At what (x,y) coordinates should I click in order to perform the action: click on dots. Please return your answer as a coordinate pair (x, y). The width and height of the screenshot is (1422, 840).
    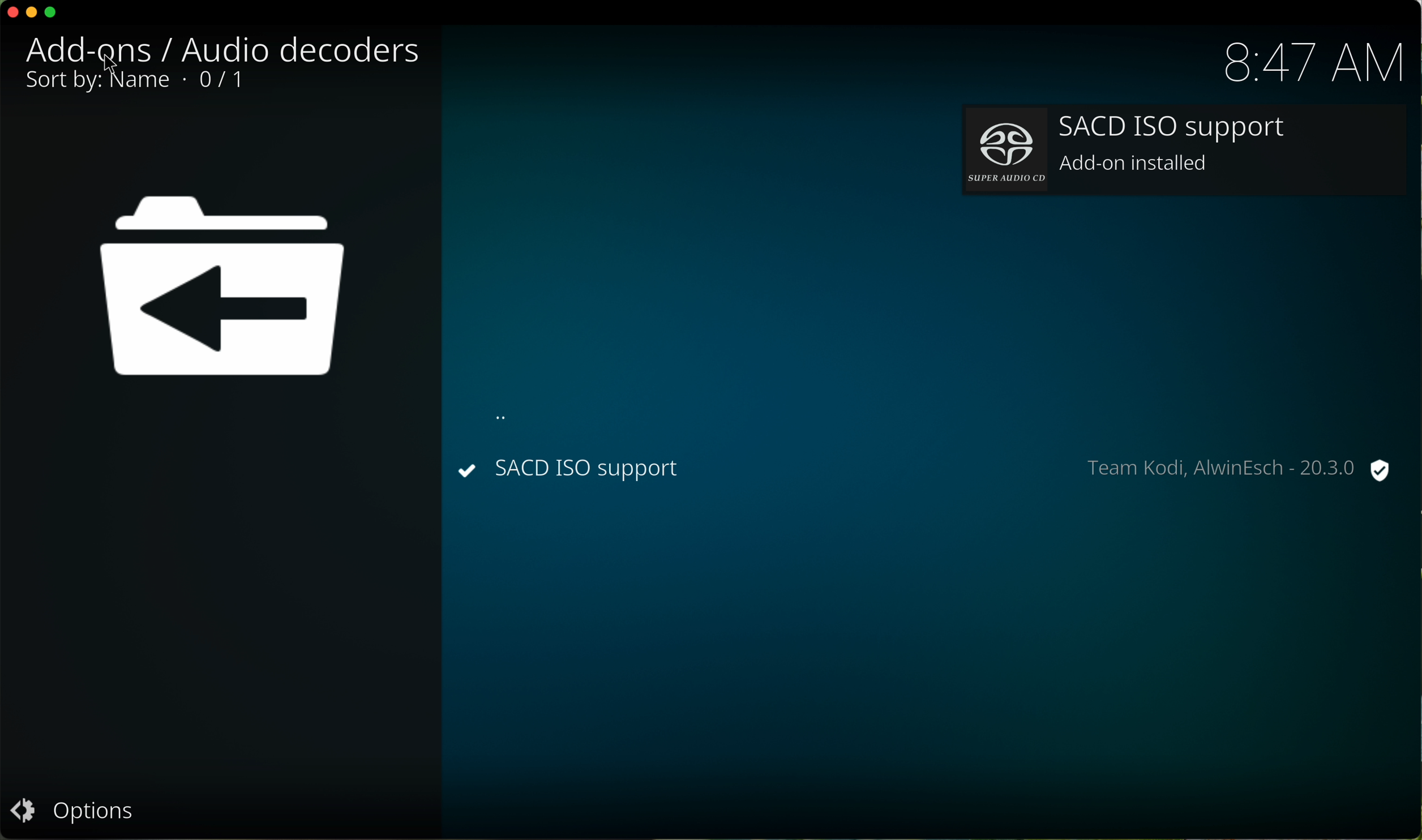
    Looking at the image, I should click on (504, 413).